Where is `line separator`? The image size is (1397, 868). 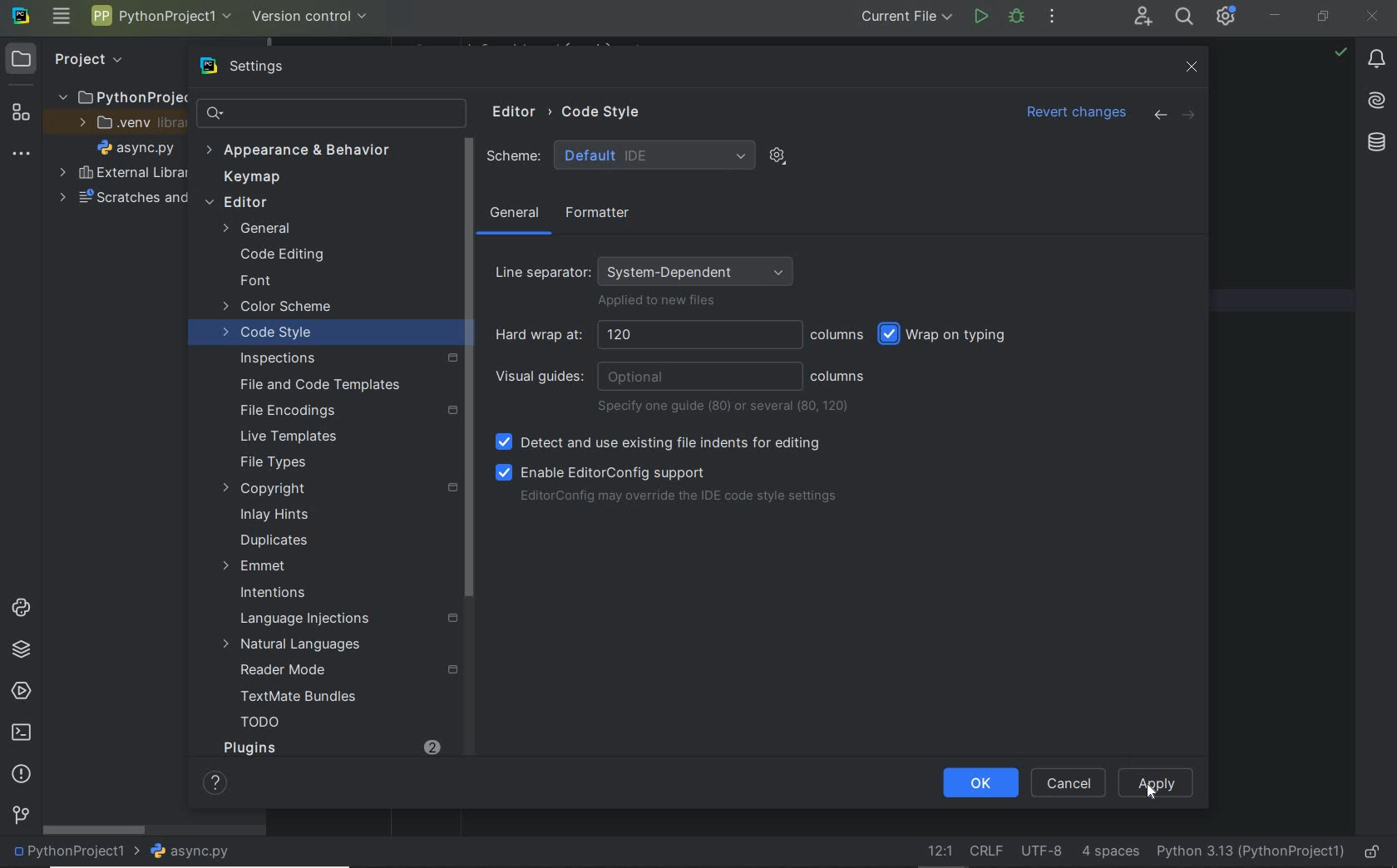 line separator is located at coordinates (987, 852).